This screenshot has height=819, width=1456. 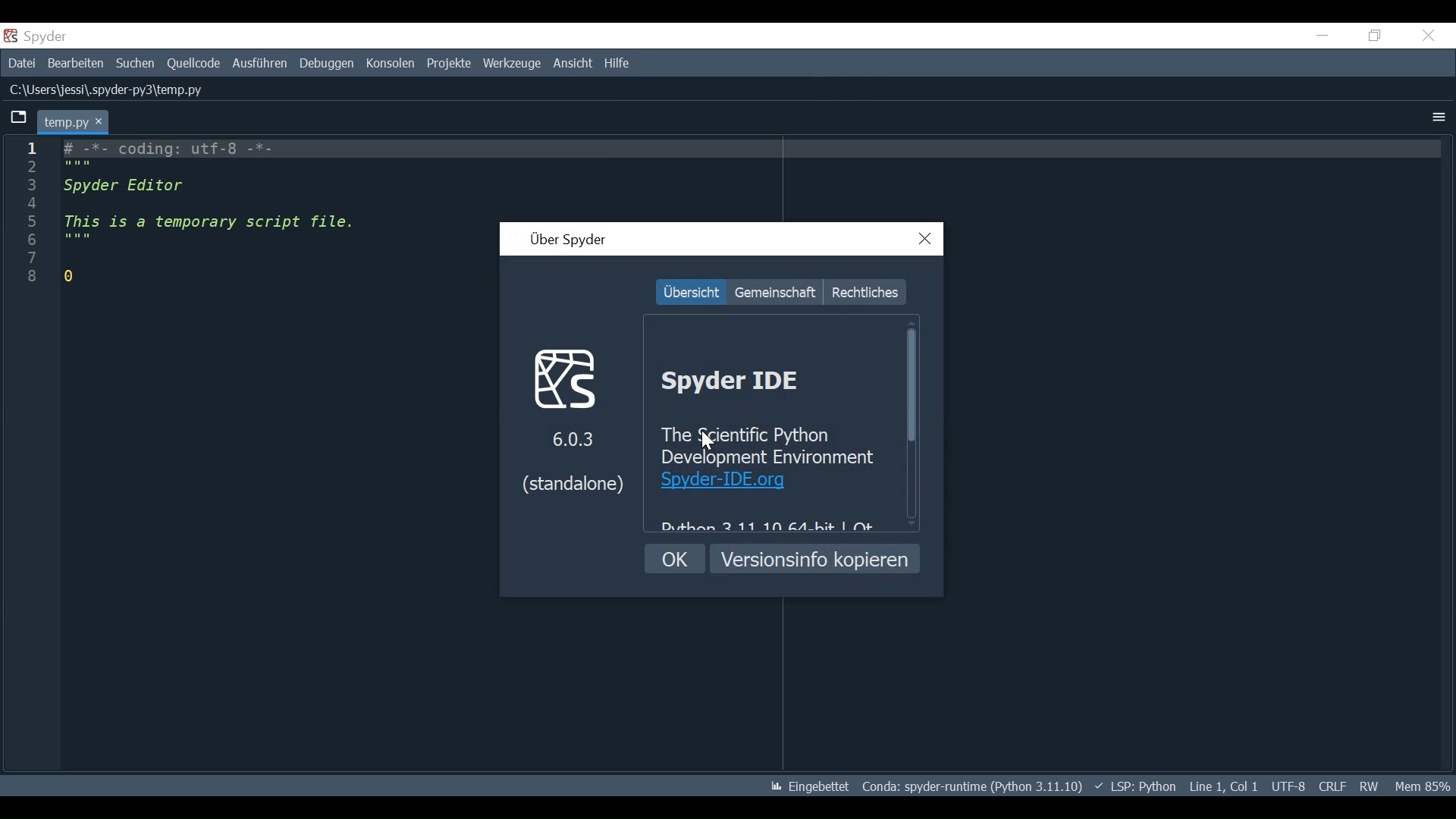 What do you see at coordinates (745, 381) in the screenshot?
I see `Spyder Ide` at bounding box center [745, 381].